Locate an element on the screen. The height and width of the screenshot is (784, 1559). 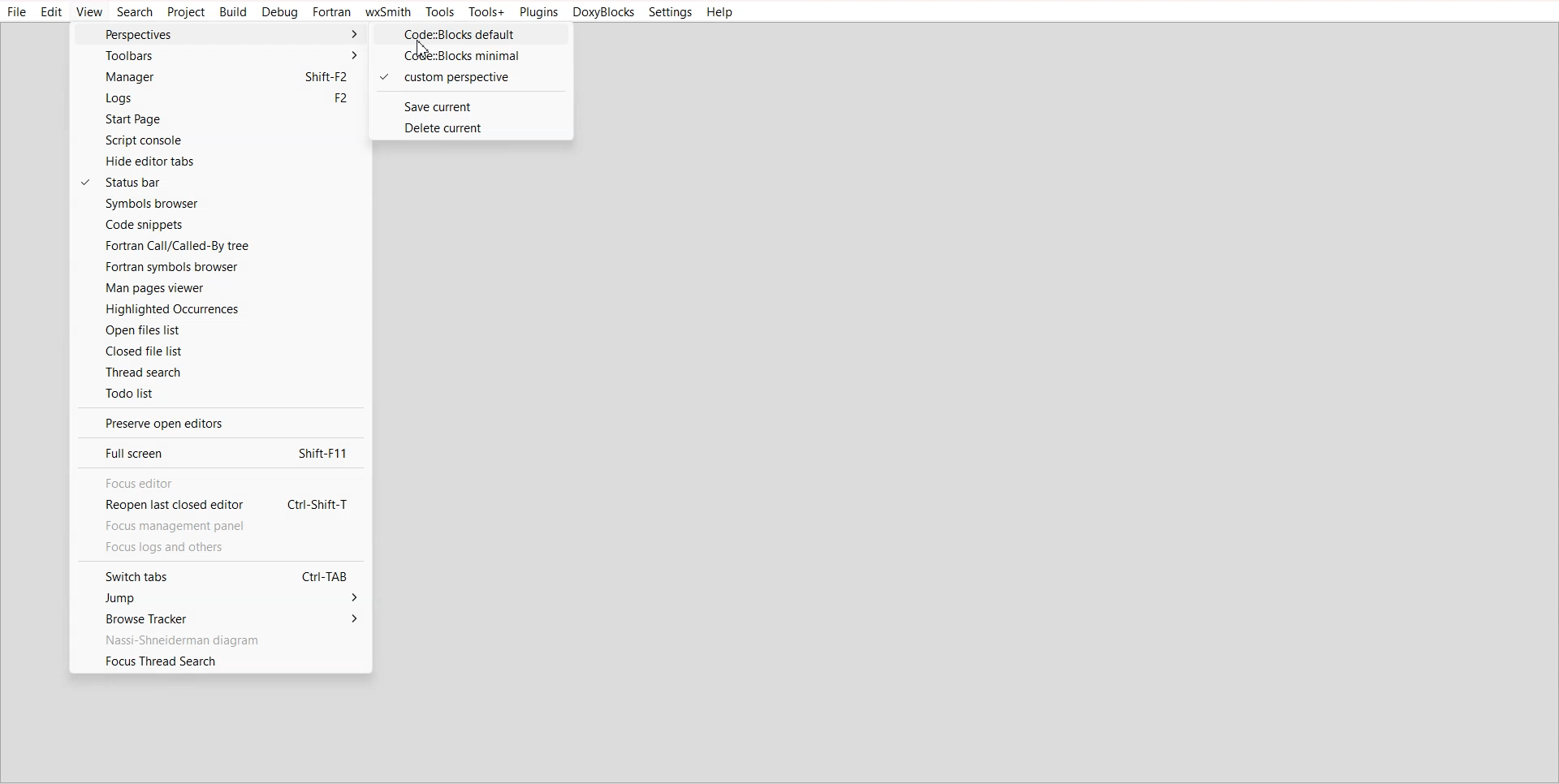
Nassi-Shneiderman diagram is located at coordinates (218, 639).